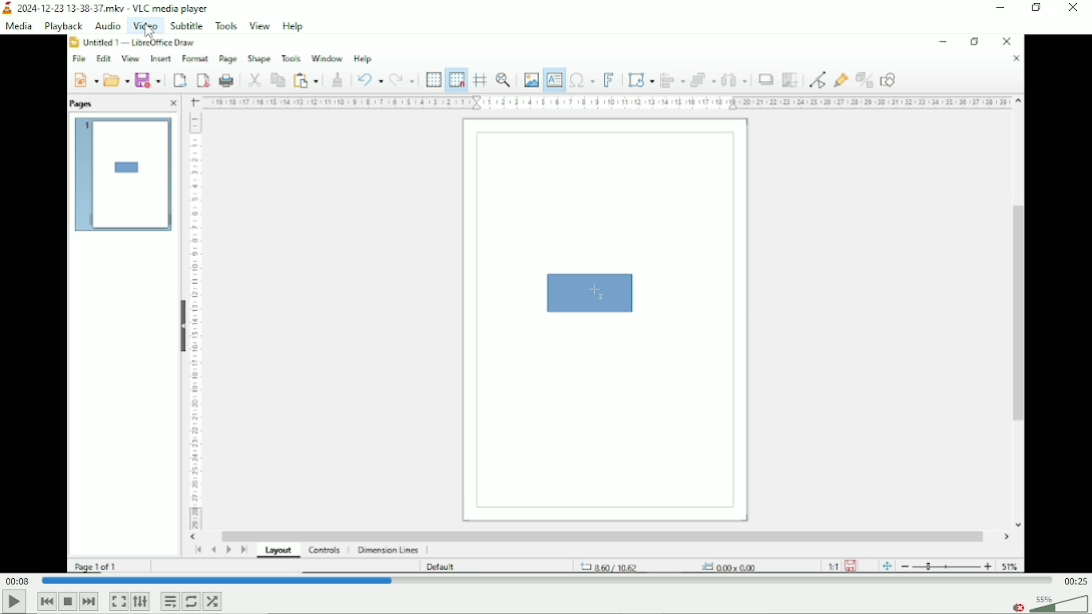 The width and height of the screenshot is (1092, 614). I want to click on Help, so click(294, 26).